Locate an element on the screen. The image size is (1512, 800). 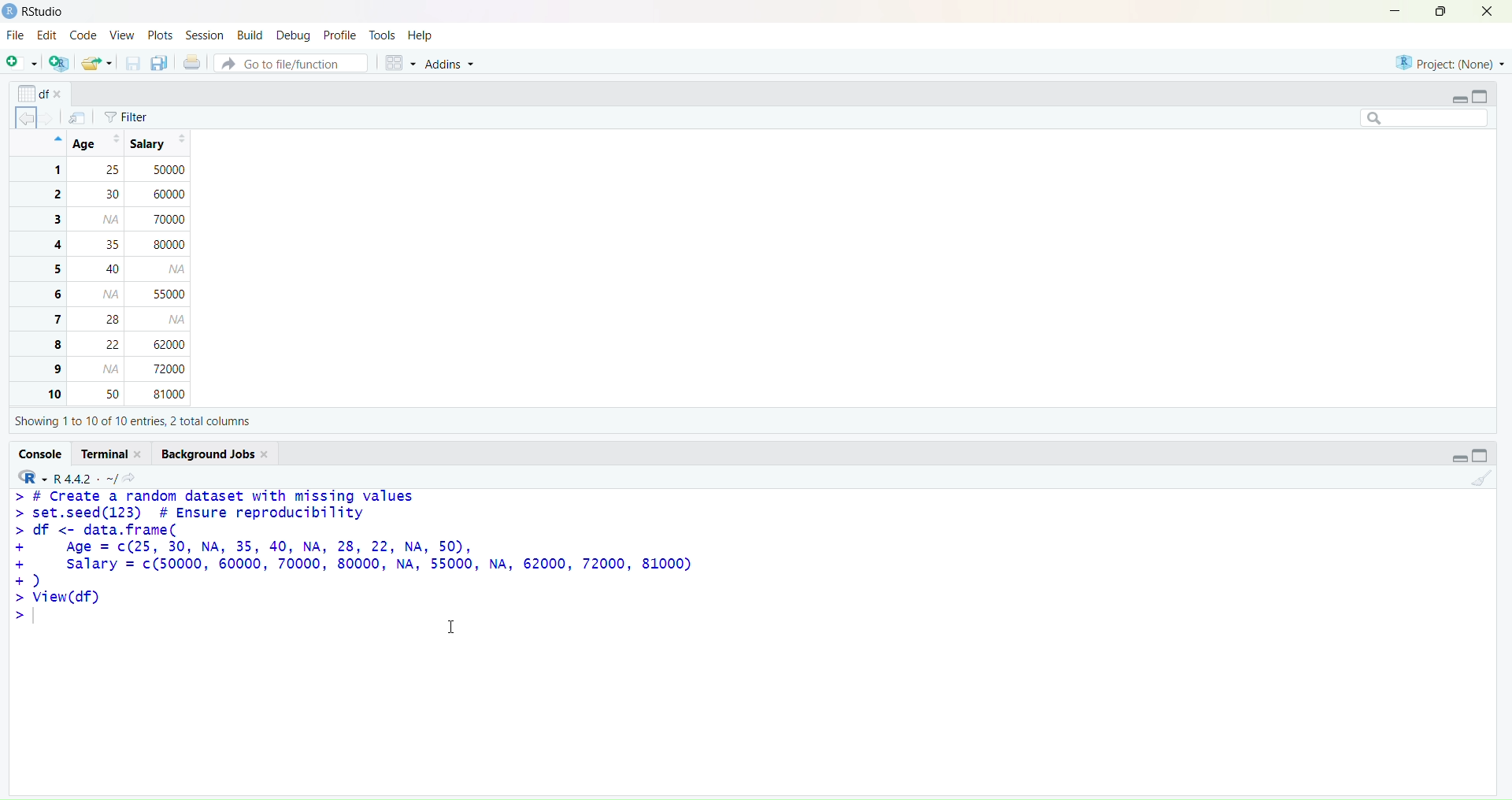
new script is located at coordinates (20, 65).